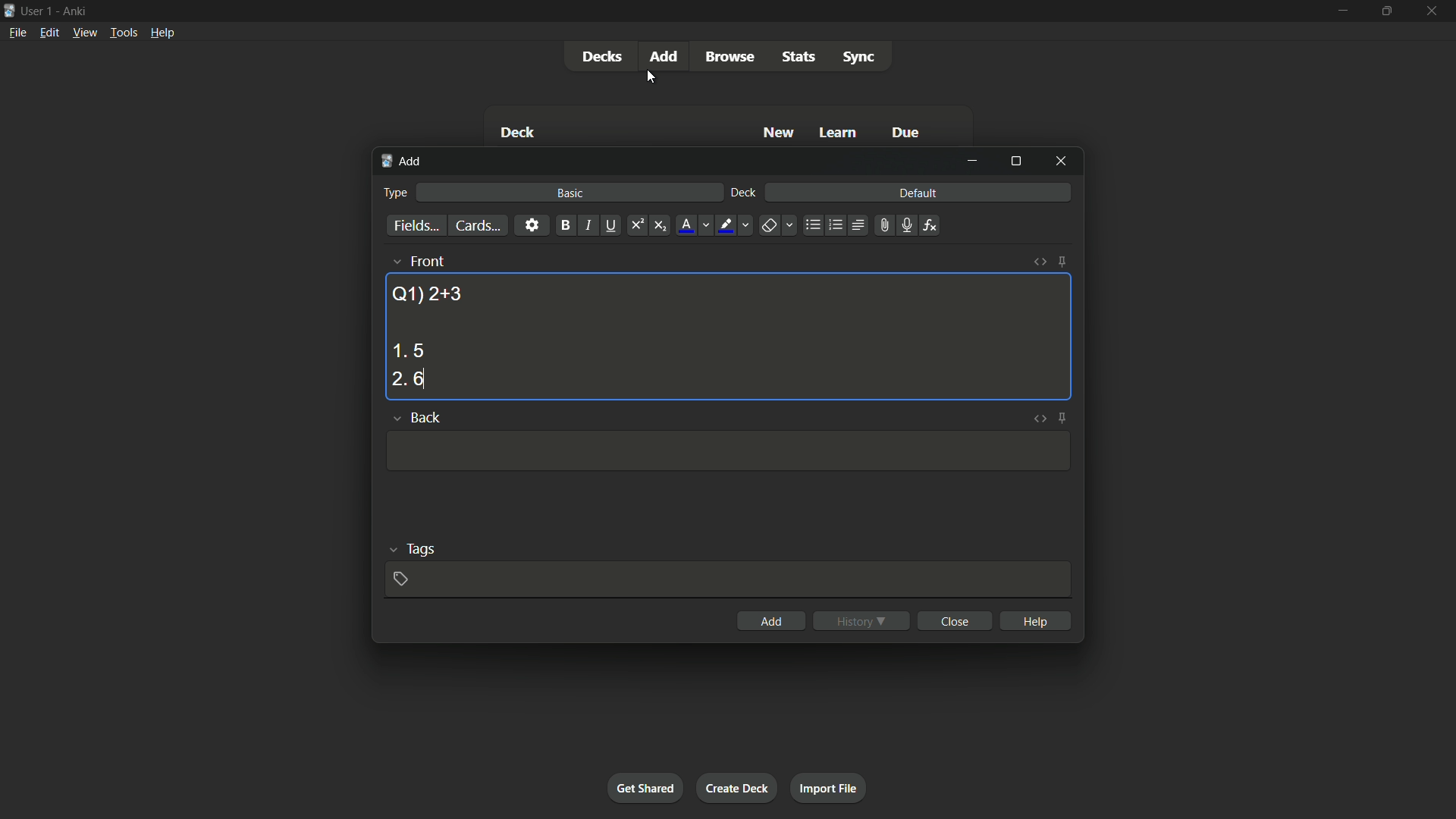 The width and height of the screenshot is (1456, 819). What do you see at coordinates (571, 193) in the screenshot?
I see `basic` at bounding box center [571, 193].